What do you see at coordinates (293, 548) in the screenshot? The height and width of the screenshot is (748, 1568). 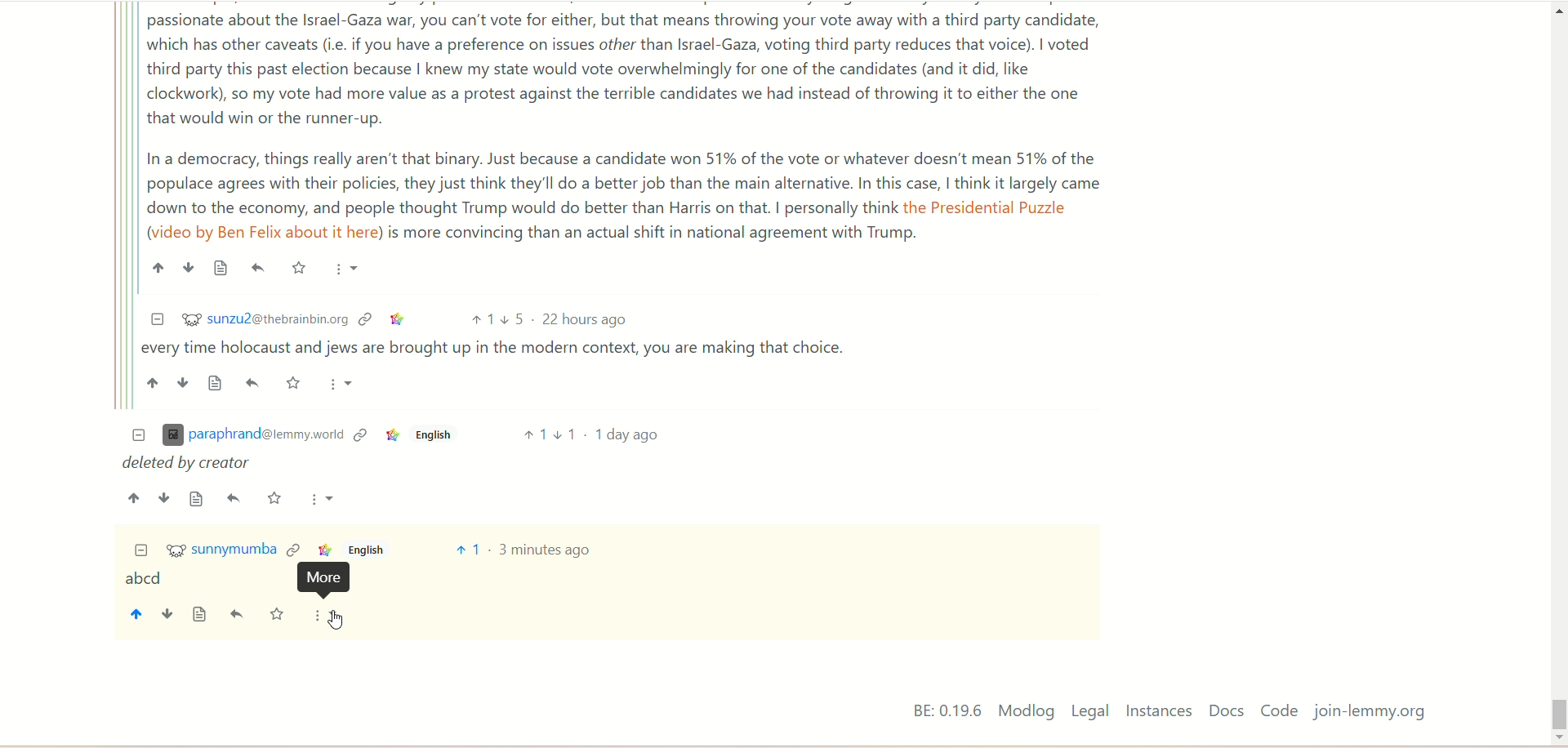 I see `link` at bounding box center [293, 548].